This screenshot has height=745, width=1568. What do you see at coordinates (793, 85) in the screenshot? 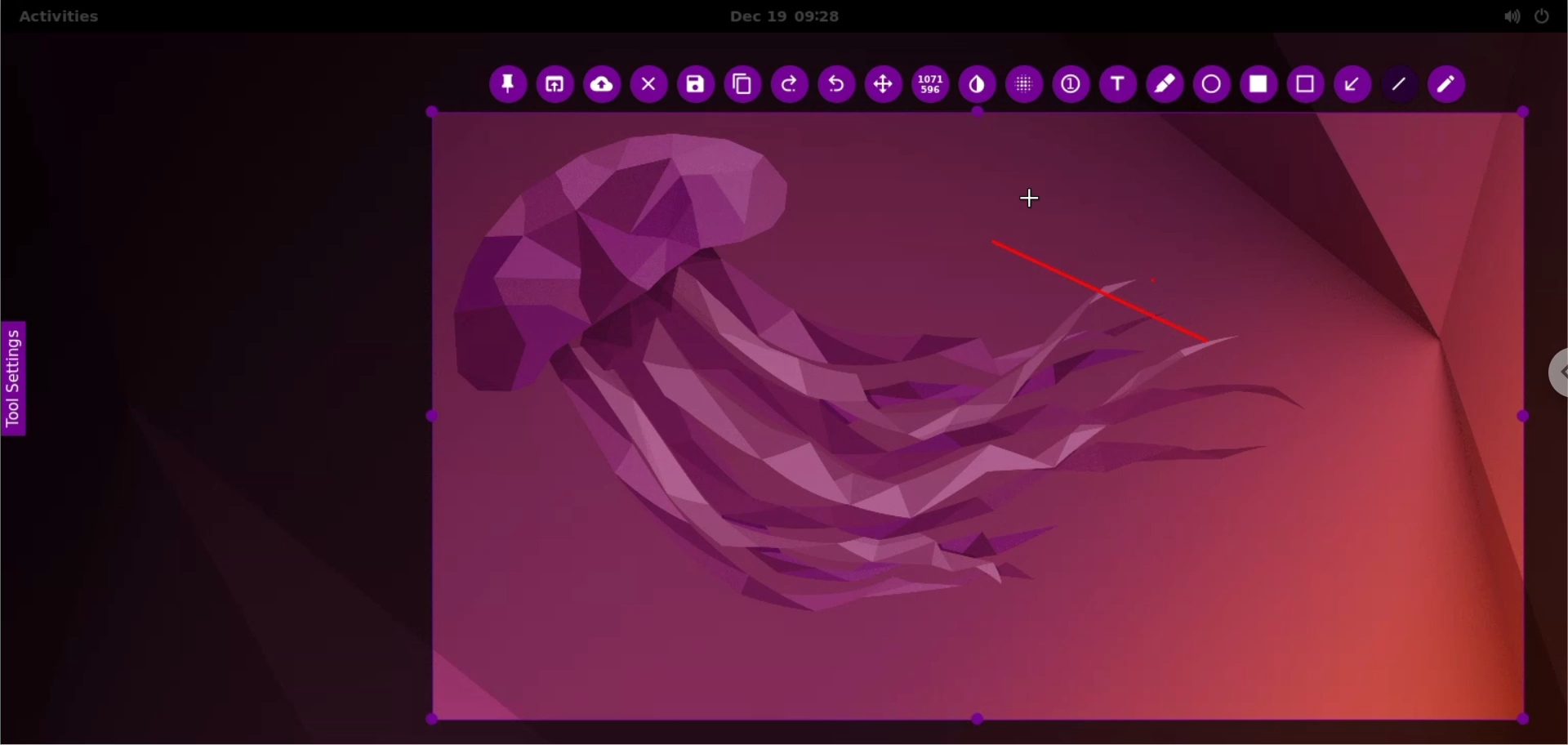
I see `redo` at bounding box center [793, 85].